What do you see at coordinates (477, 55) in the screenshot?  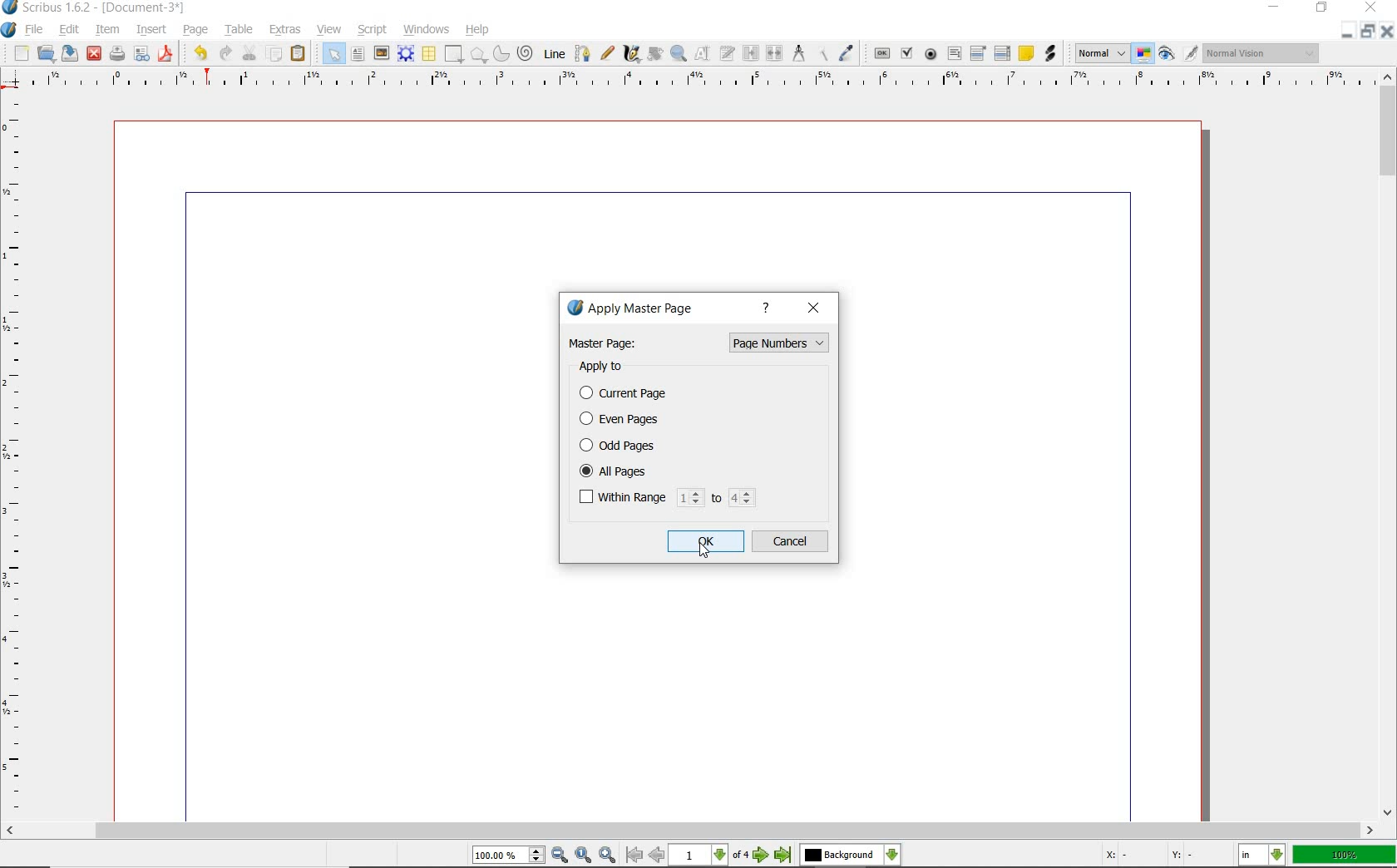 I see `polygon` at bounding box center [477, 55].